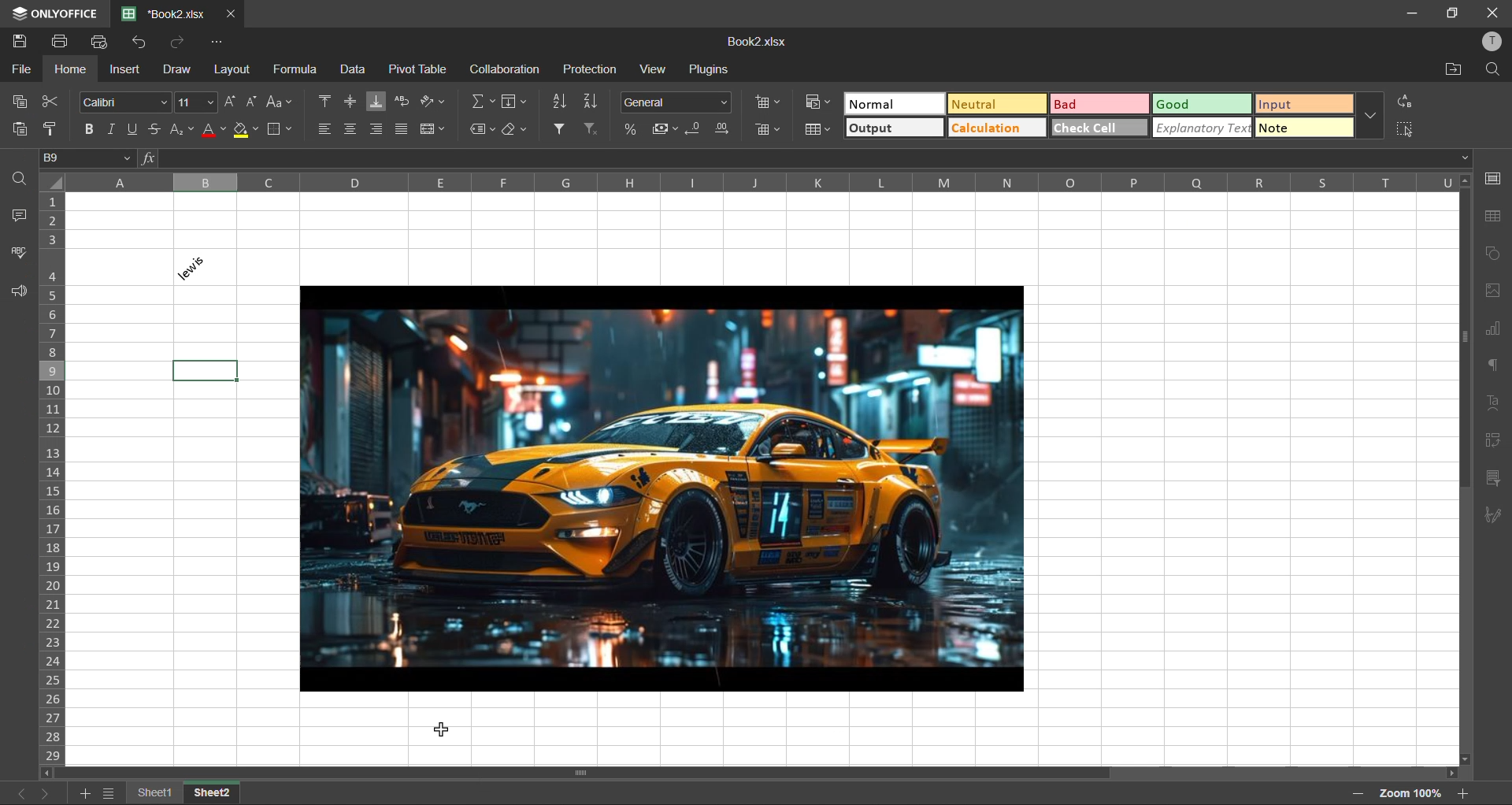  What do you see at coordinates (819, 104) in the screenshot?
I see `conditional formatting` at bounding box center [819, 104].